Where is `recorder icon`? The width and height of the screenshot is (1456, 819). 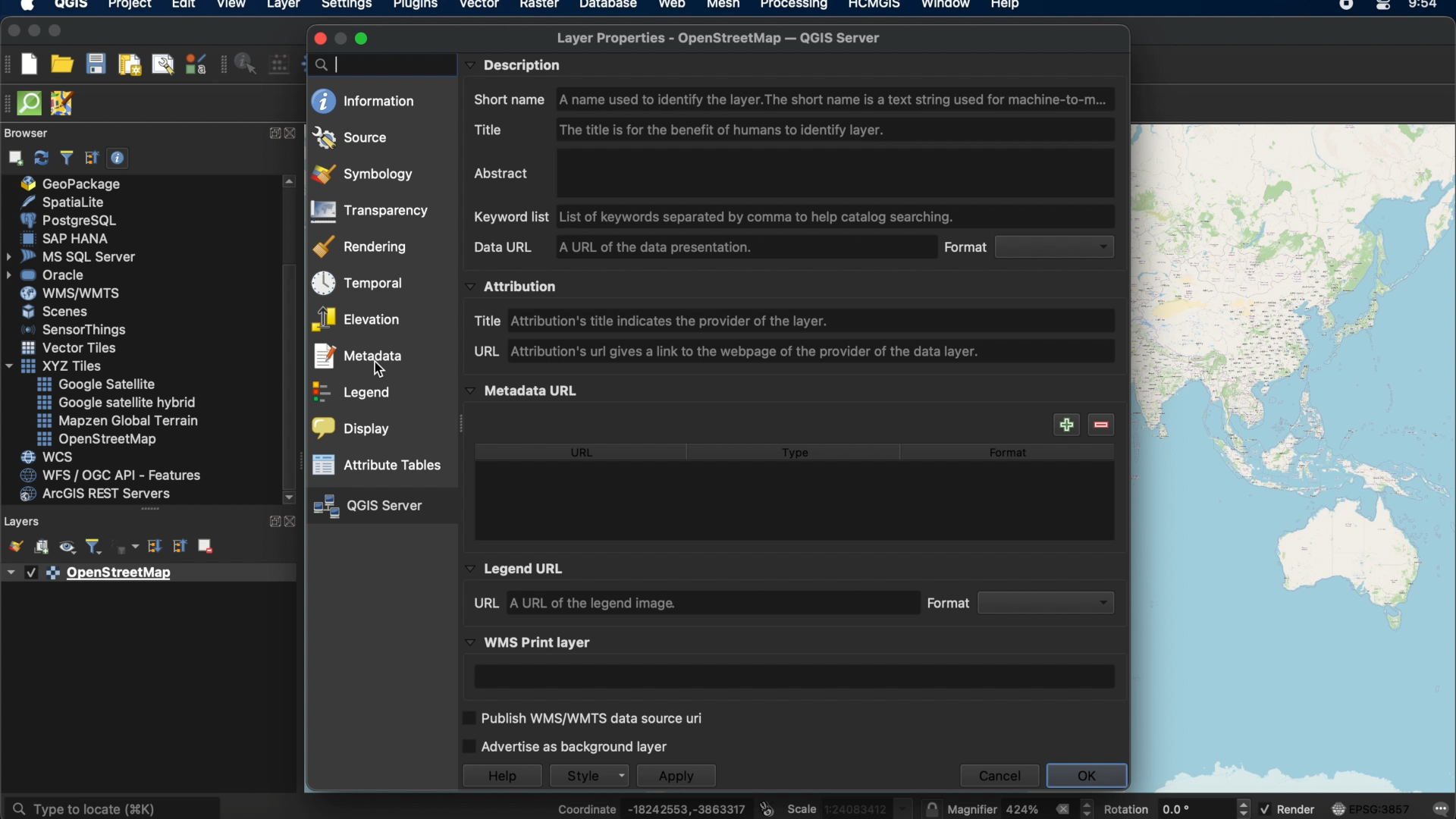 recorder icon is located at coordinates (1346, 6).